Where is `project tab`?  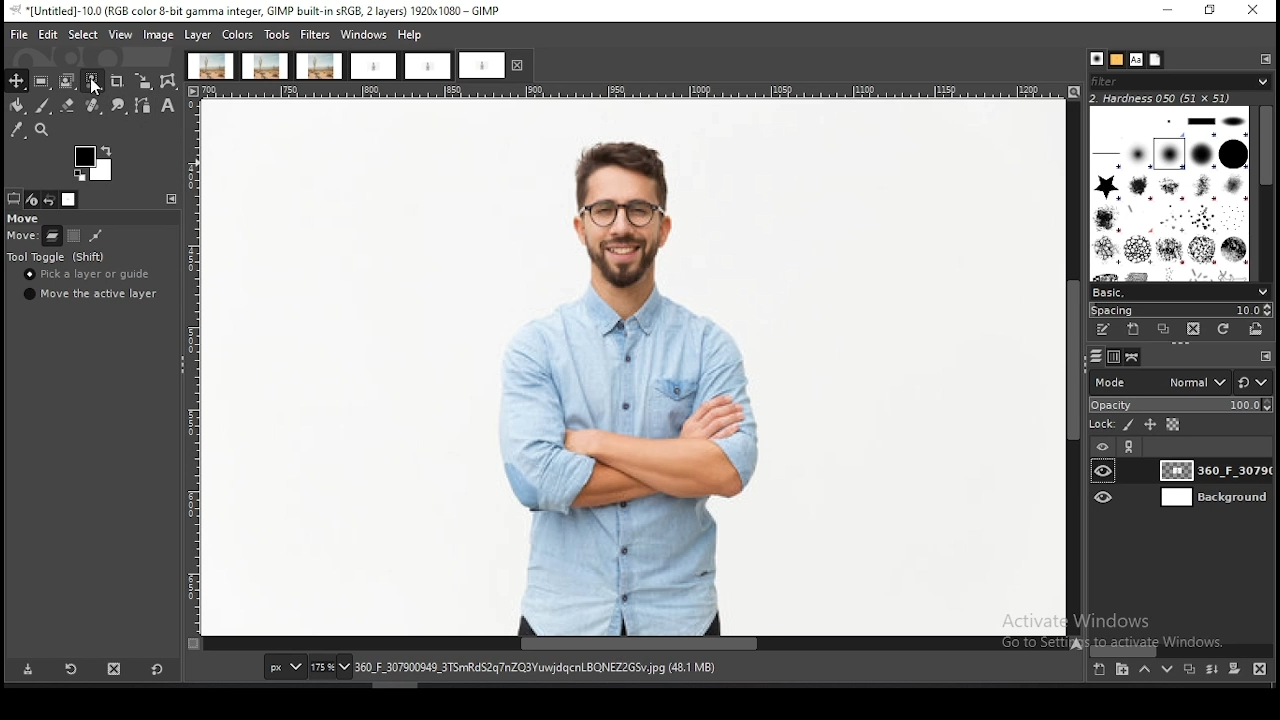
project tab is located at coordinates (320, 66).